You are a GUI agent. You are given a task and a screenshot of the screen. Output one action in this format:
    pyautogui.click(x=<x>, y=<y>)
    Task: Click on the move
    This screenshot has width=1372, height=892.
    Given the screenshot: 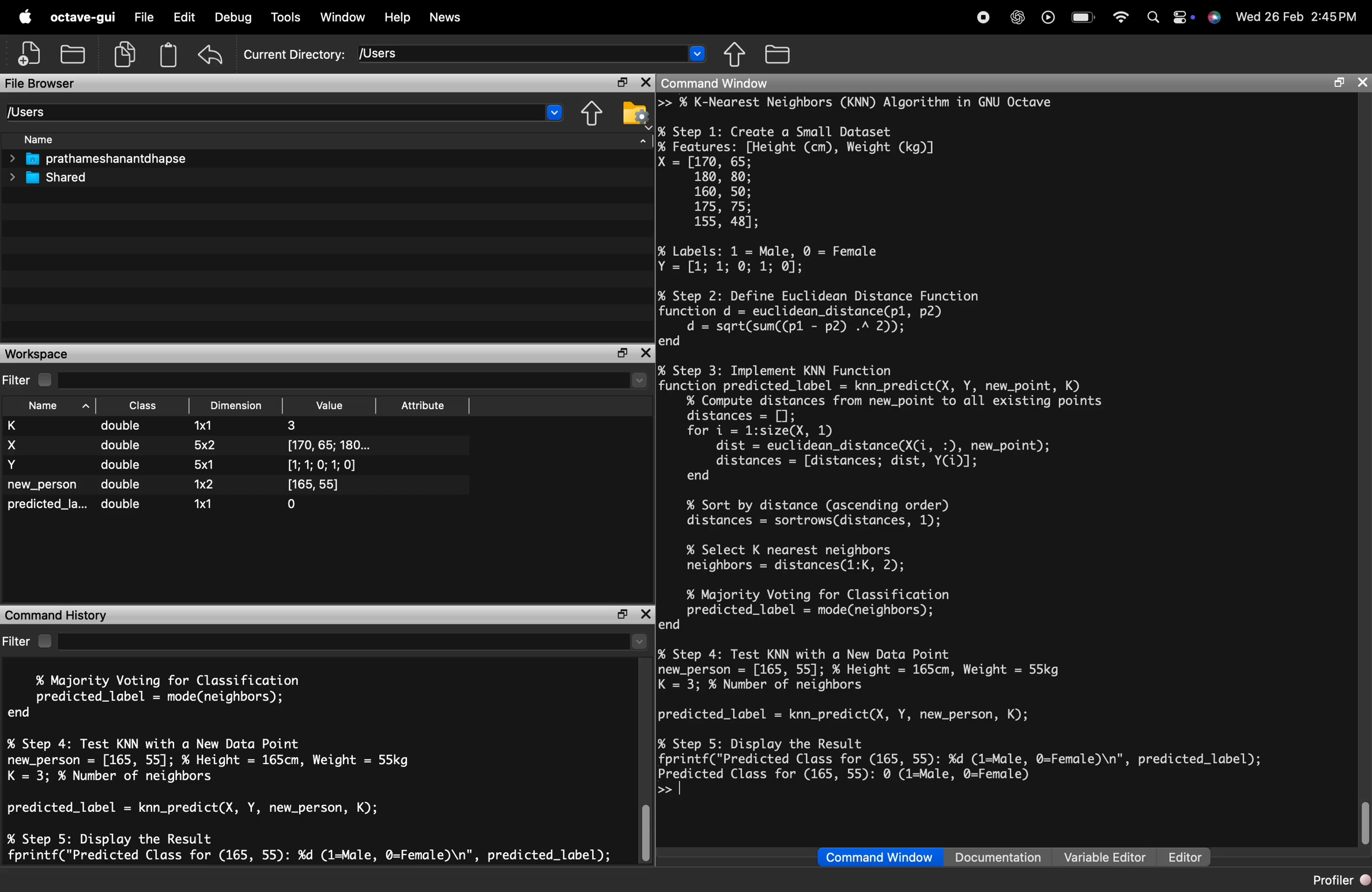 What is the action you would take?
    pyautogui.click(x=590, y=116)
    